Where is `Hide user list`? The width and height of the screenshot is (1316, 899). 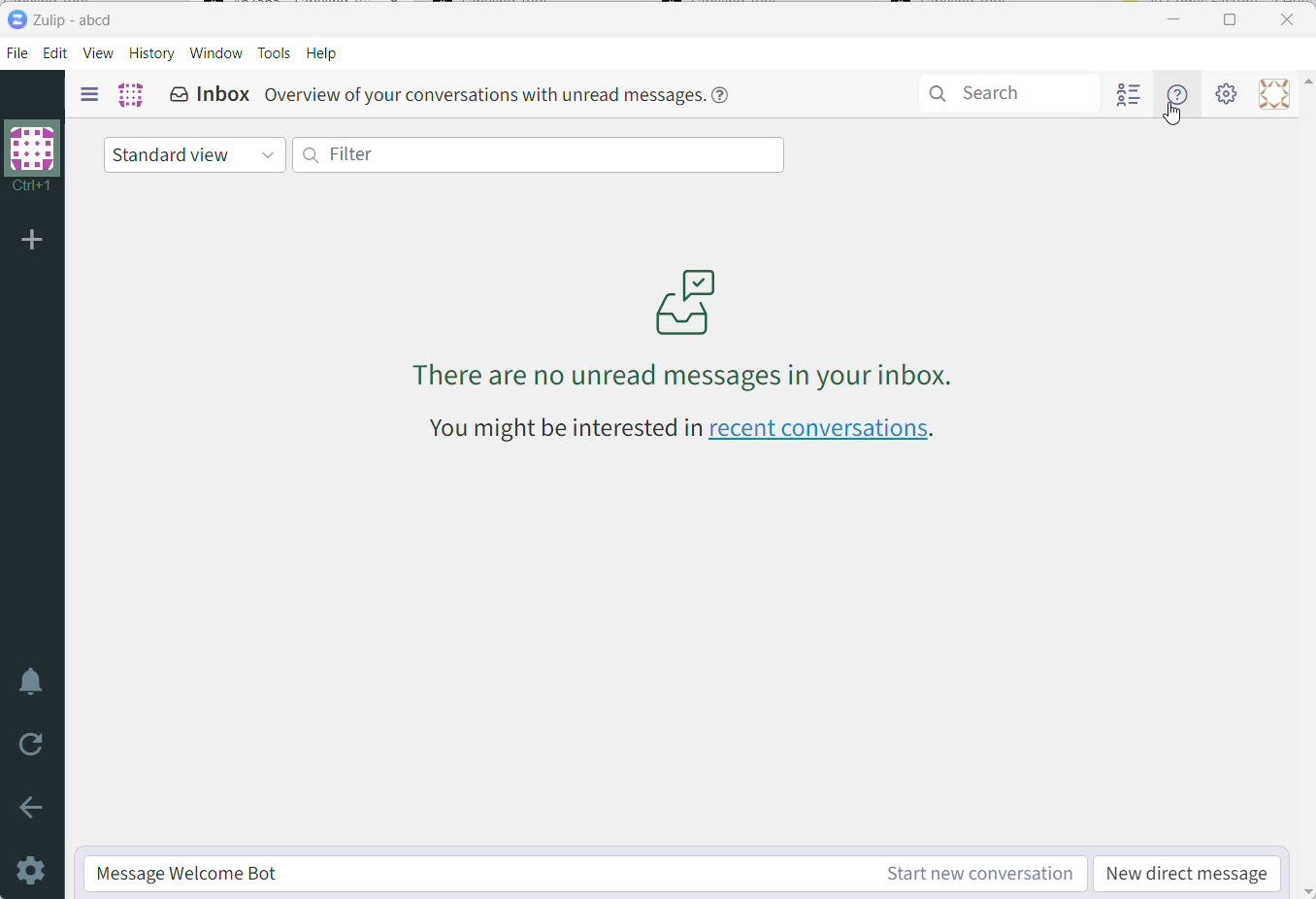 Hide user list is located at coordinates (1131, 94).